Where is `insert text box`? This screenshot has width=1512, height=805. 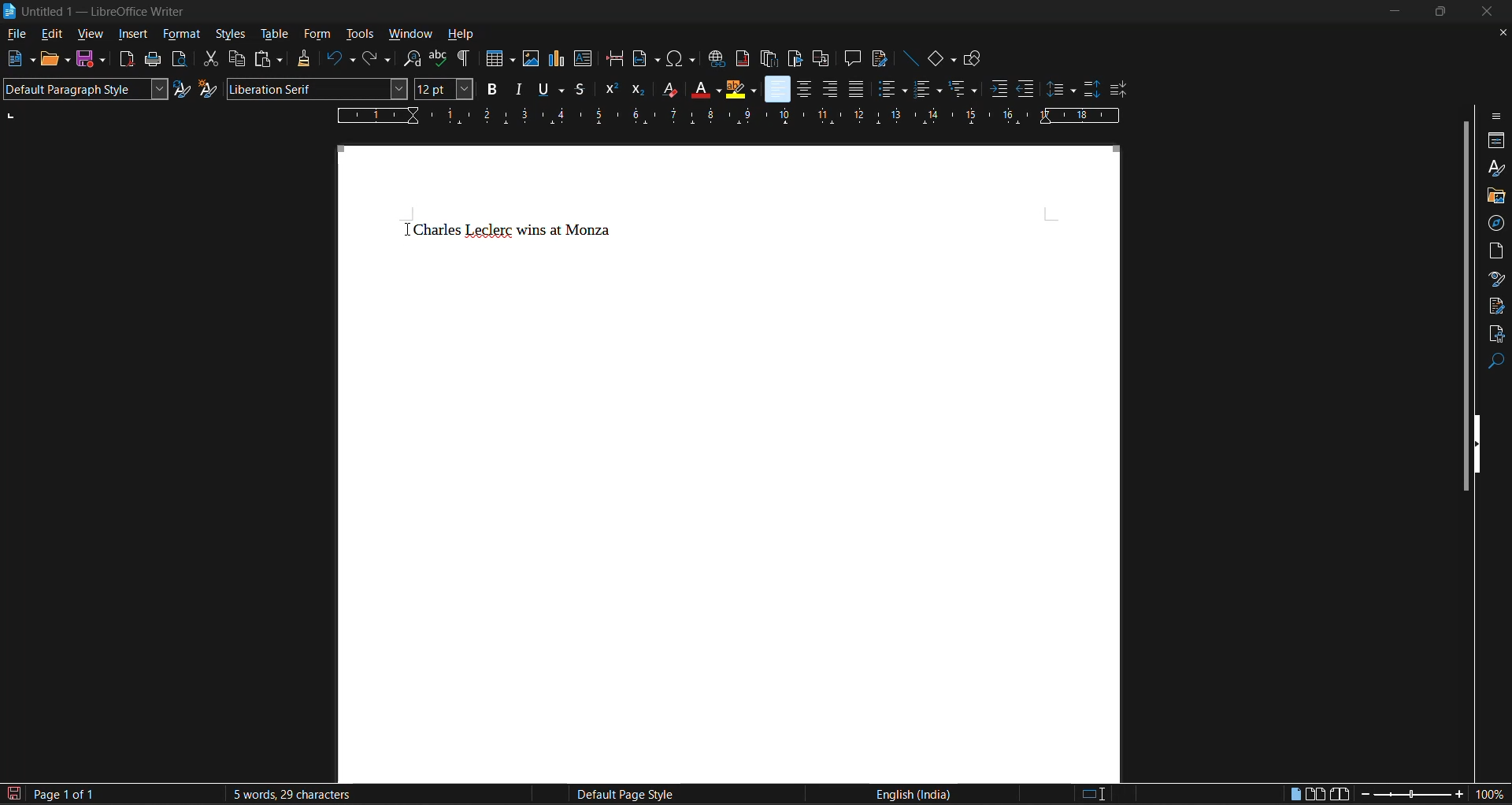
insert text box is located at coordinates (584, 59).